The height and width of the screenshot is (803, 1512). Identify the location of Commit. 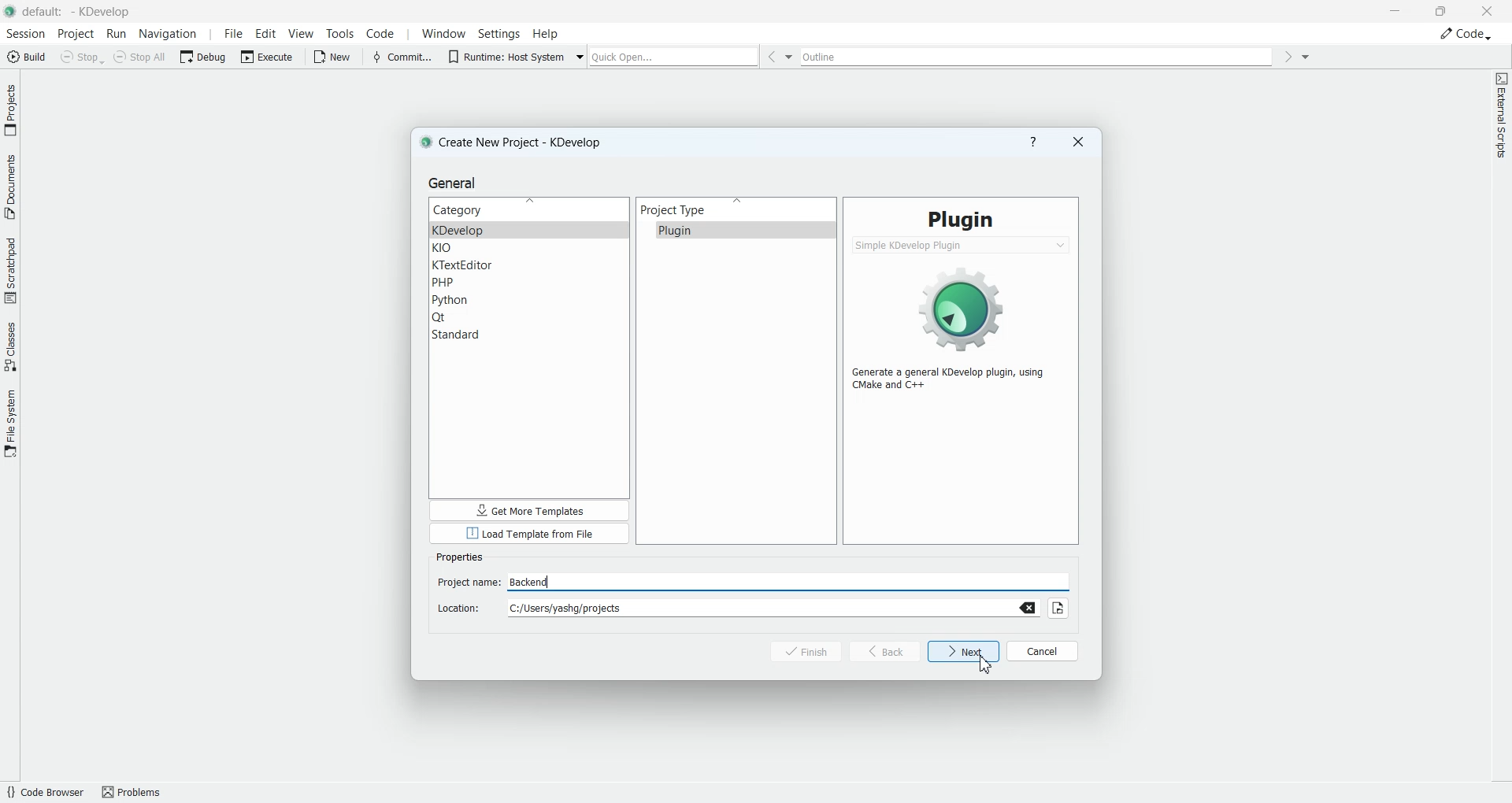
(401, 56).